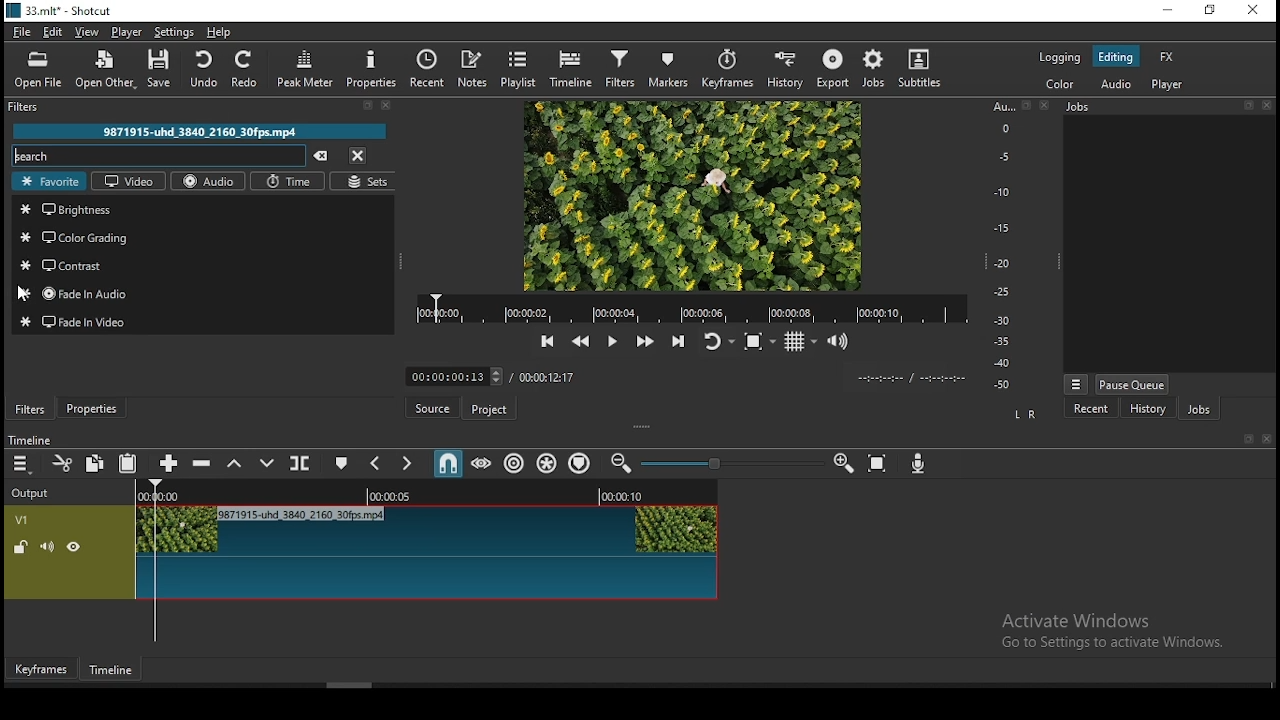 This screenshot has height=720, width=1280. Describe the element at coordinates (493, 409) in the screenshot. I see `project` at that location.